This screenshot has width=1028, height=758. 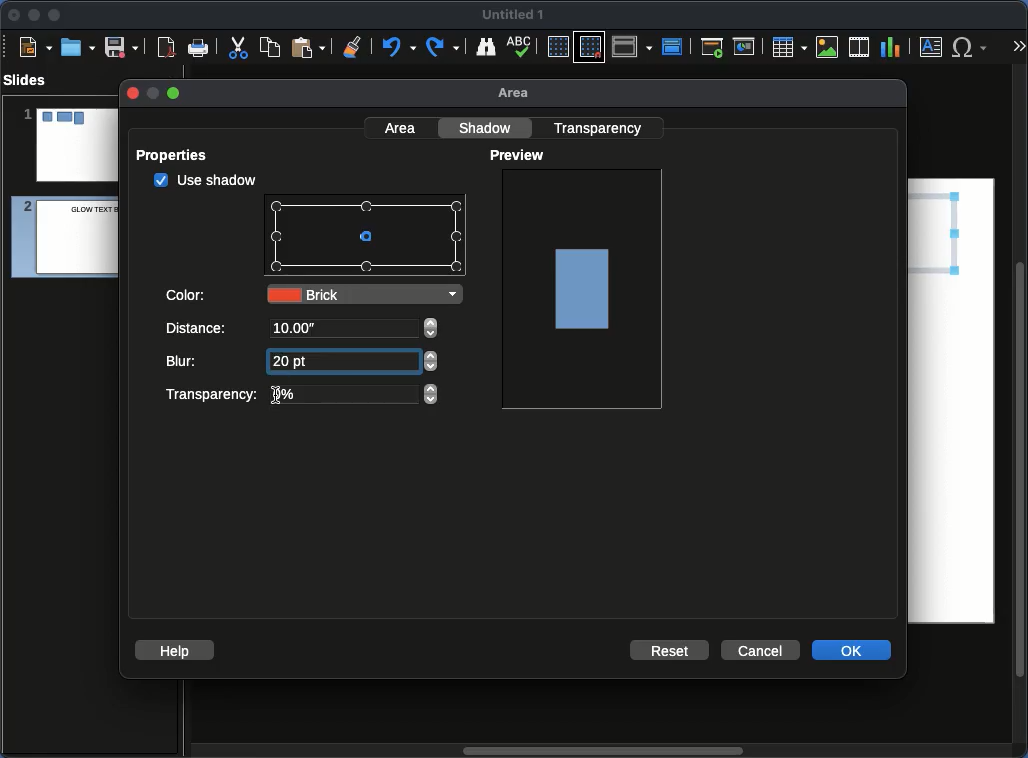 What do you see at coordinates (35, 46) in the screenshot?
I see `New` at bounding box center [35, 46].